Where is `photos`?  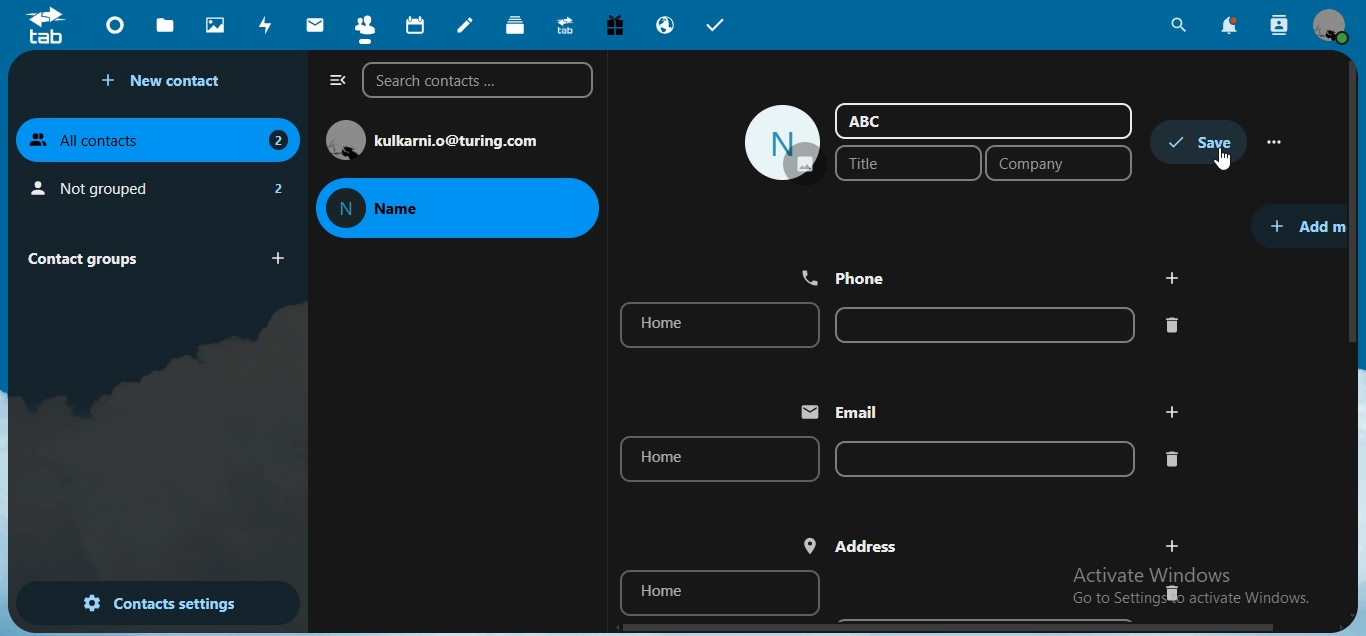 photos is located at coordinates (213, 24).